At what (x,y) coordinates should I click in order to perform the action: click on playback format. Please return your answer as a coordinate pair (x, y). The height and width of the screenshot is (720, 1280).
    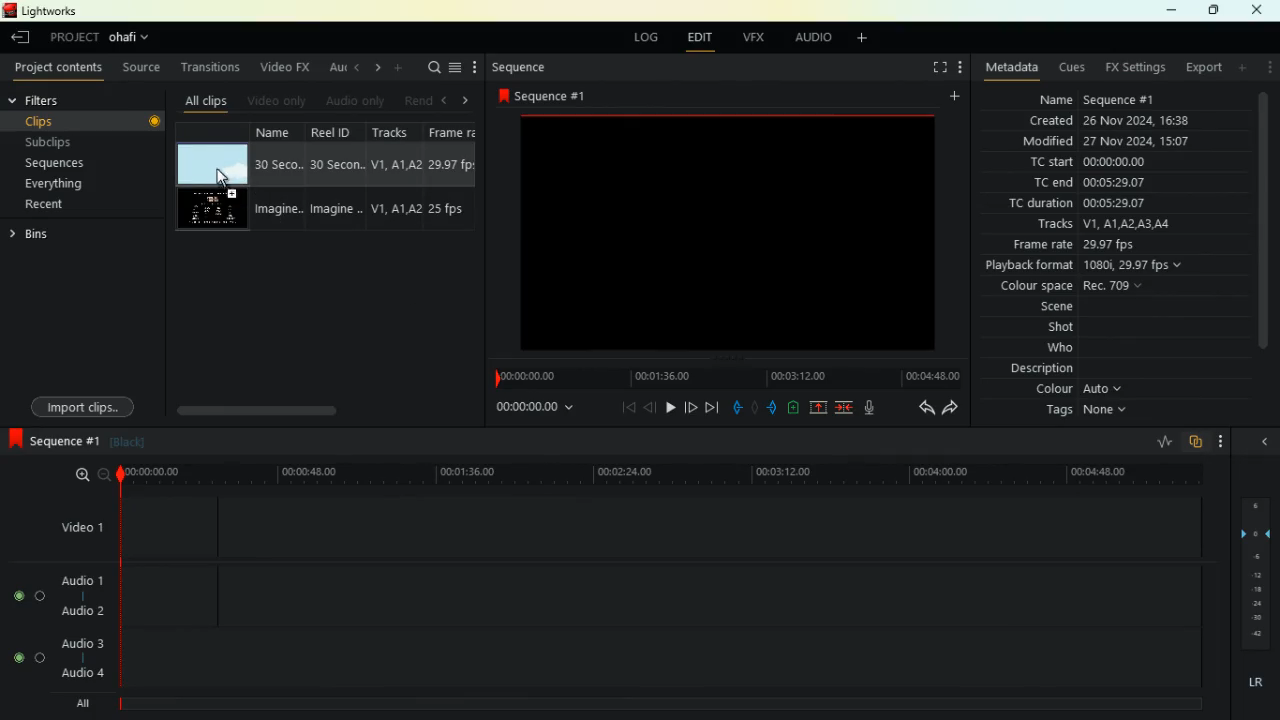
    Looking at the image, I should click on (1029, 266).